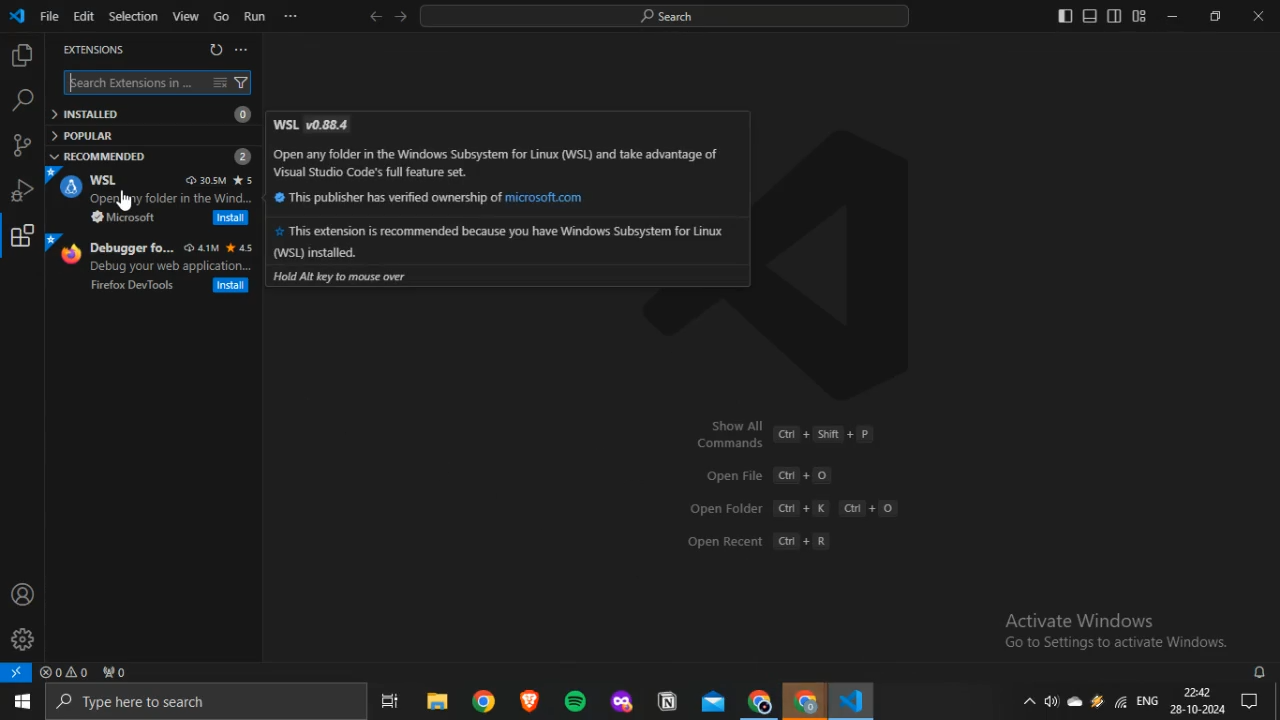  Describe the element at coordinates (1215, 15) in the screenshot. I see `restore` at that location.